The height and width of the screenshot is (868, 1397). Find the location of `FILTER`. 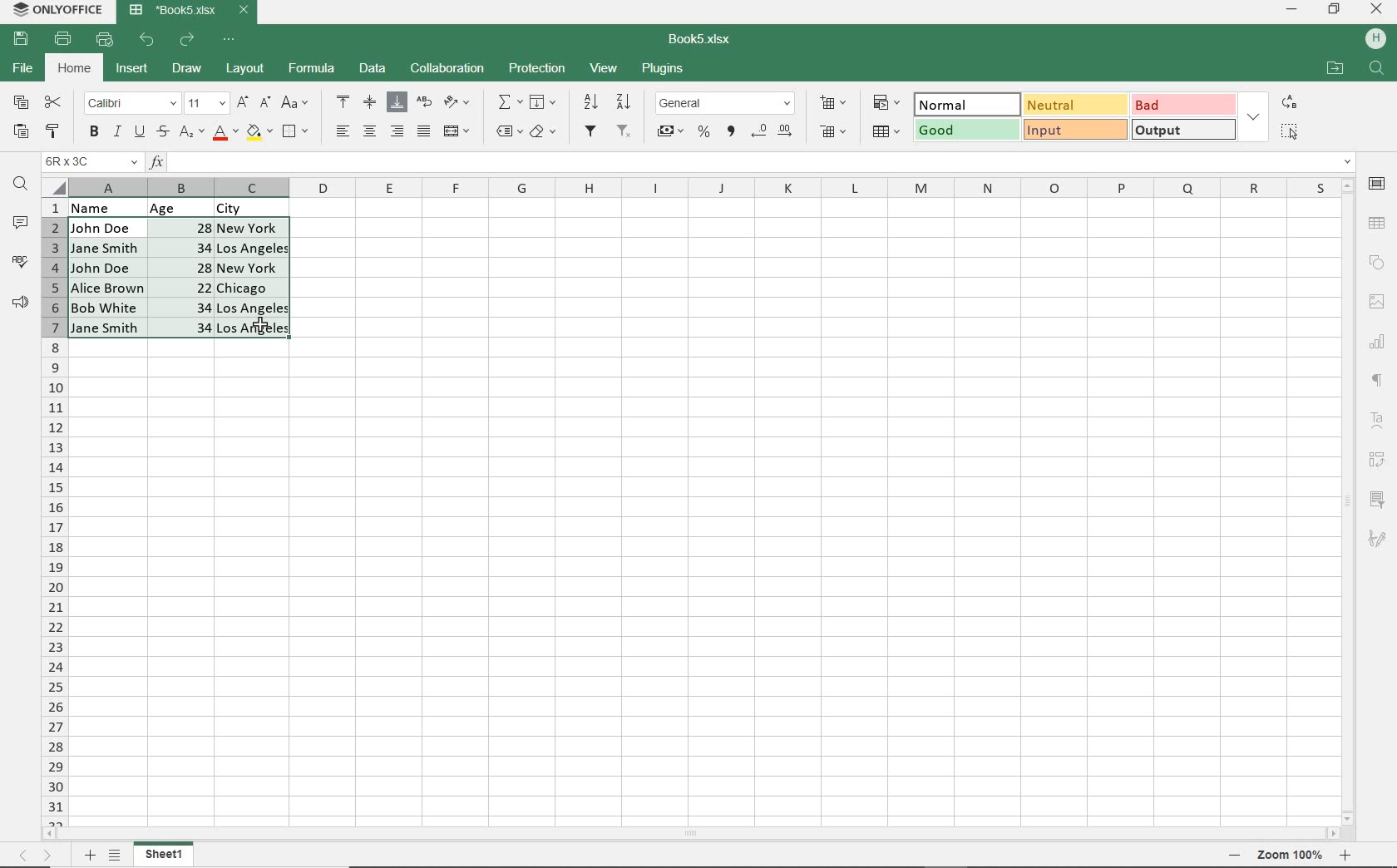

FILTER is located at coordinates (592, 131).